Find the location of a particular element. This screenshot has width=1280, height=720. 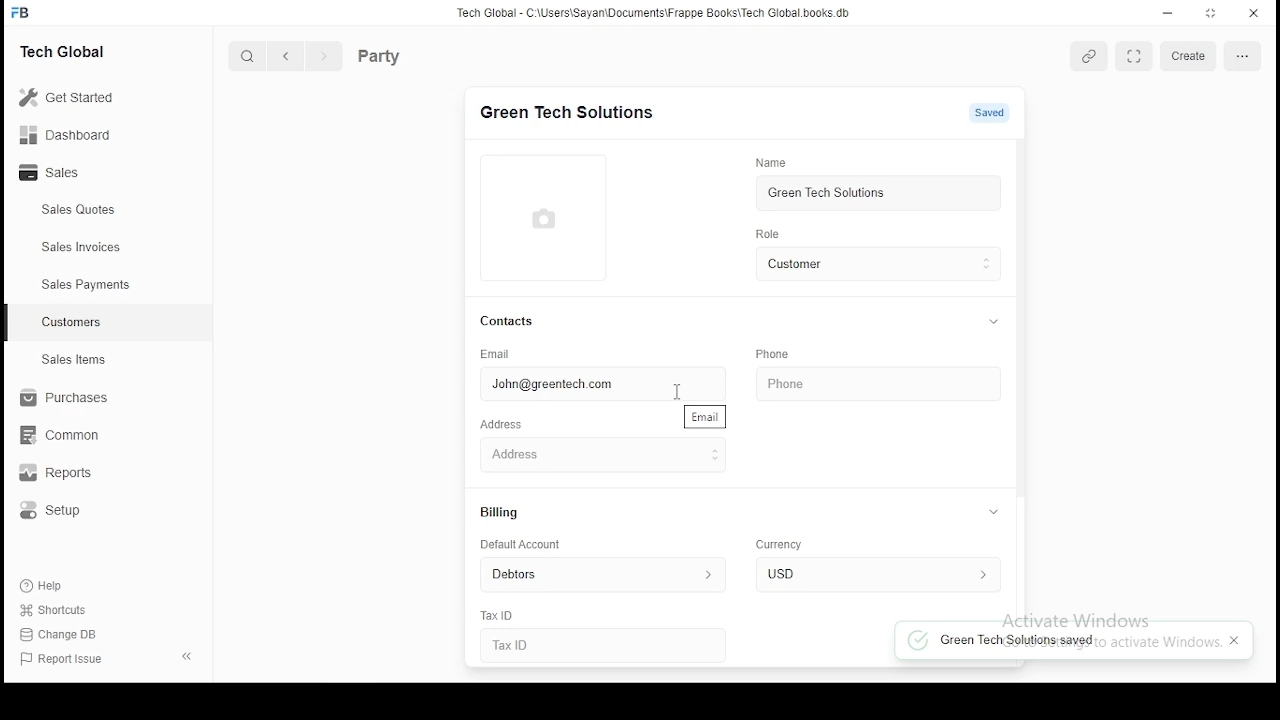

default account is located at coordinates (519, 545).